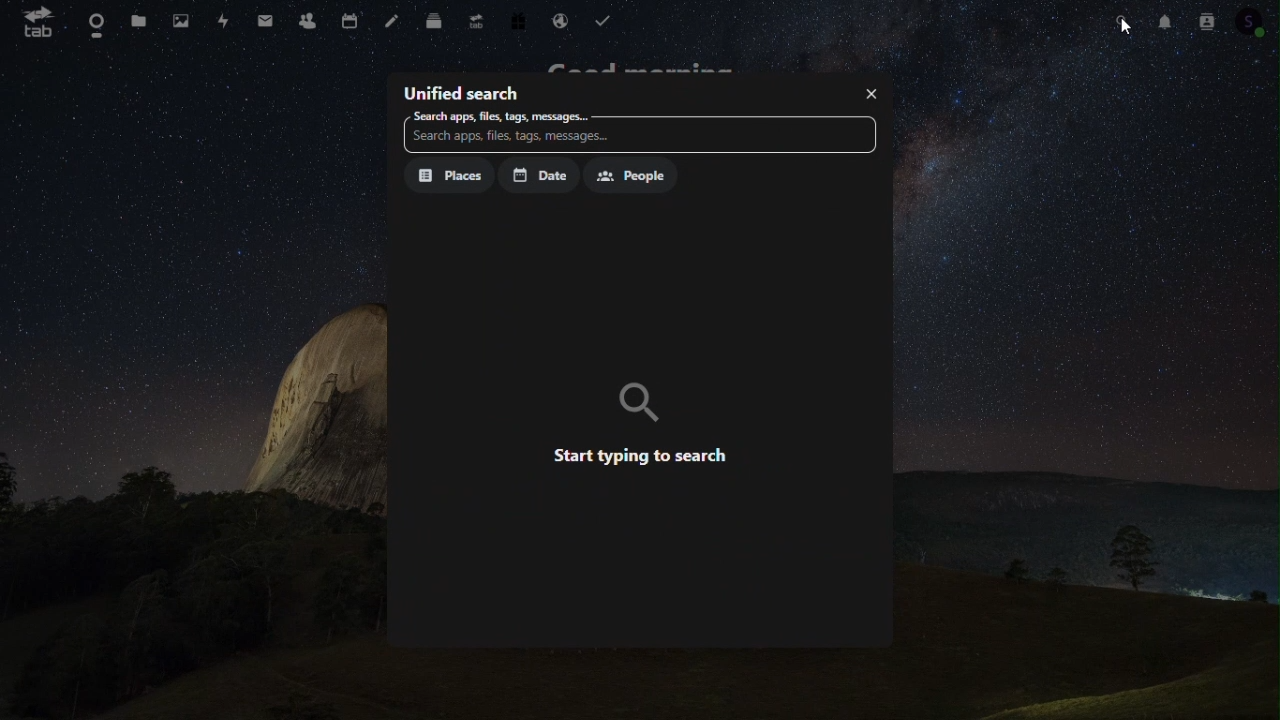 The width and height of the screenshot is (1280, 720). Describe the element at coordinates (1254, 21) in the screenshot. I see `Account icon ` at that location.